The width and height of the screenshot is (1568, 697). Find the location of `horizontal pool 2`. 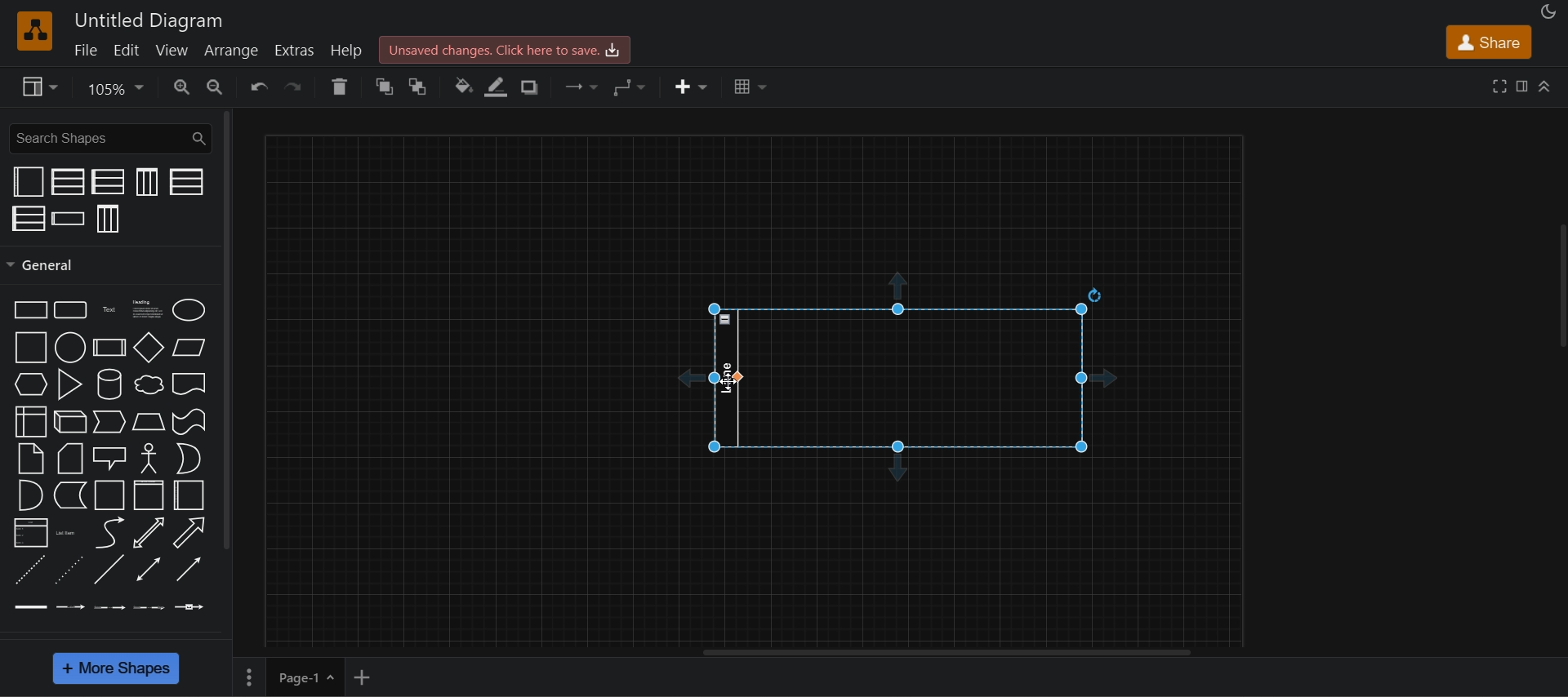

horizontal pool 2 is located at coordinates (110, 182).